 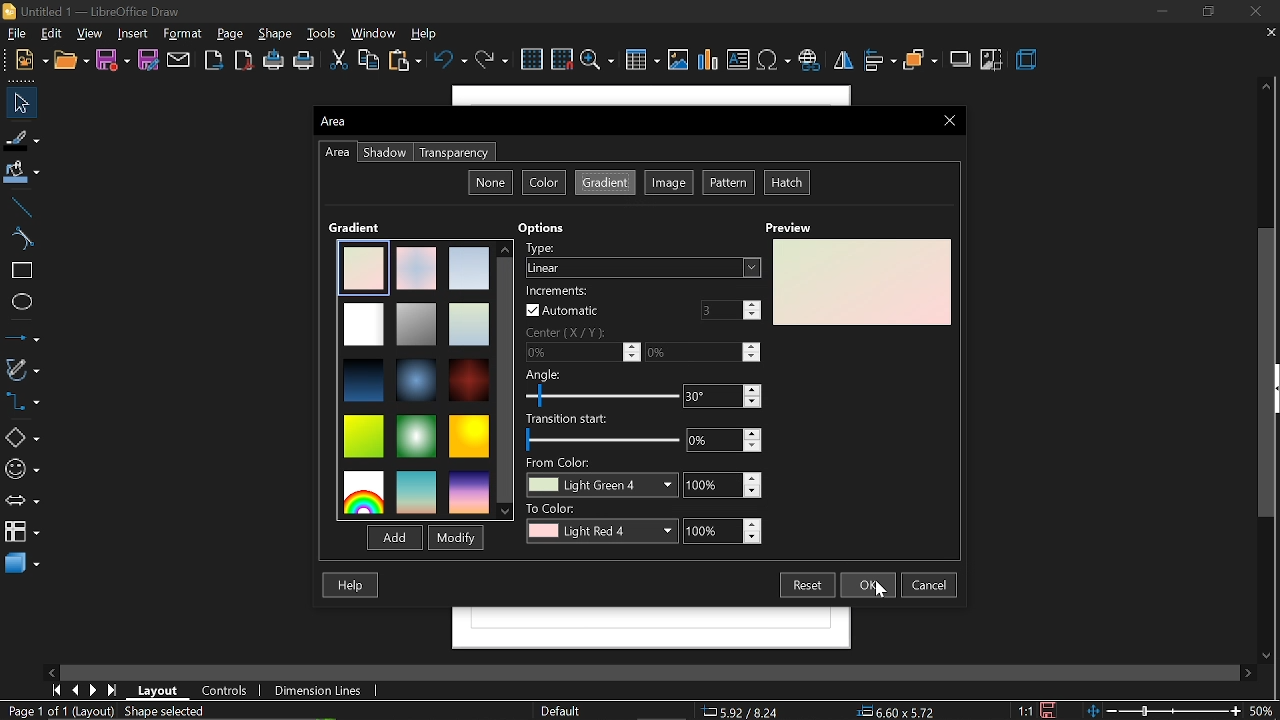 I want to click on current page (Page 1 of 1 (Layout)), so click(x=57, y=712).